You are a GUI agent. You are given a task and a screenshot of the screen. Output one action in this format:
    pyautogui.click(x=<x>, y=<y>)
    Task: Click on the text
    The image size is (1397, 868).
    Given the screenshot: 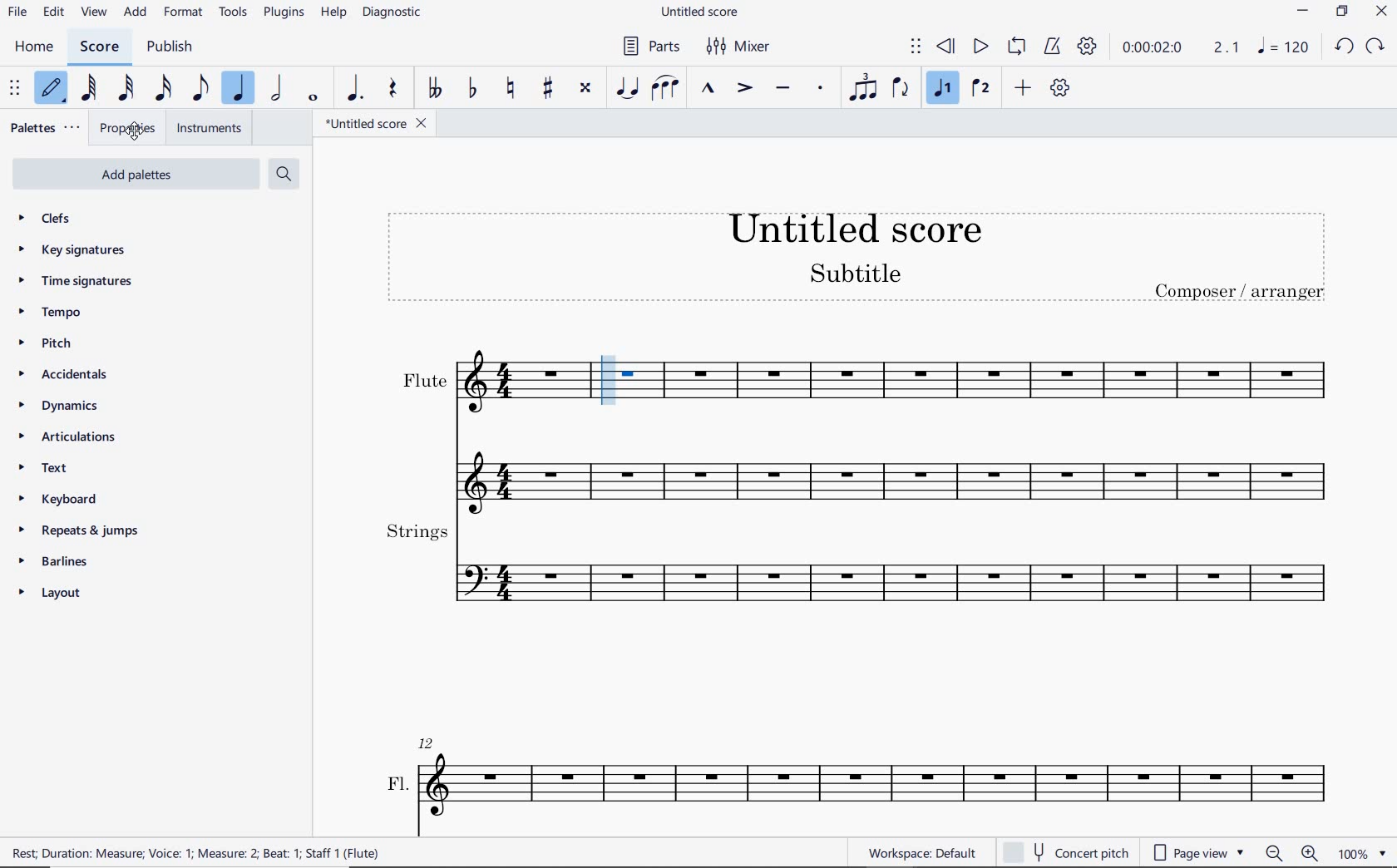 What is the action you would take?
    pyautogui.click(x=43, y=471)
    